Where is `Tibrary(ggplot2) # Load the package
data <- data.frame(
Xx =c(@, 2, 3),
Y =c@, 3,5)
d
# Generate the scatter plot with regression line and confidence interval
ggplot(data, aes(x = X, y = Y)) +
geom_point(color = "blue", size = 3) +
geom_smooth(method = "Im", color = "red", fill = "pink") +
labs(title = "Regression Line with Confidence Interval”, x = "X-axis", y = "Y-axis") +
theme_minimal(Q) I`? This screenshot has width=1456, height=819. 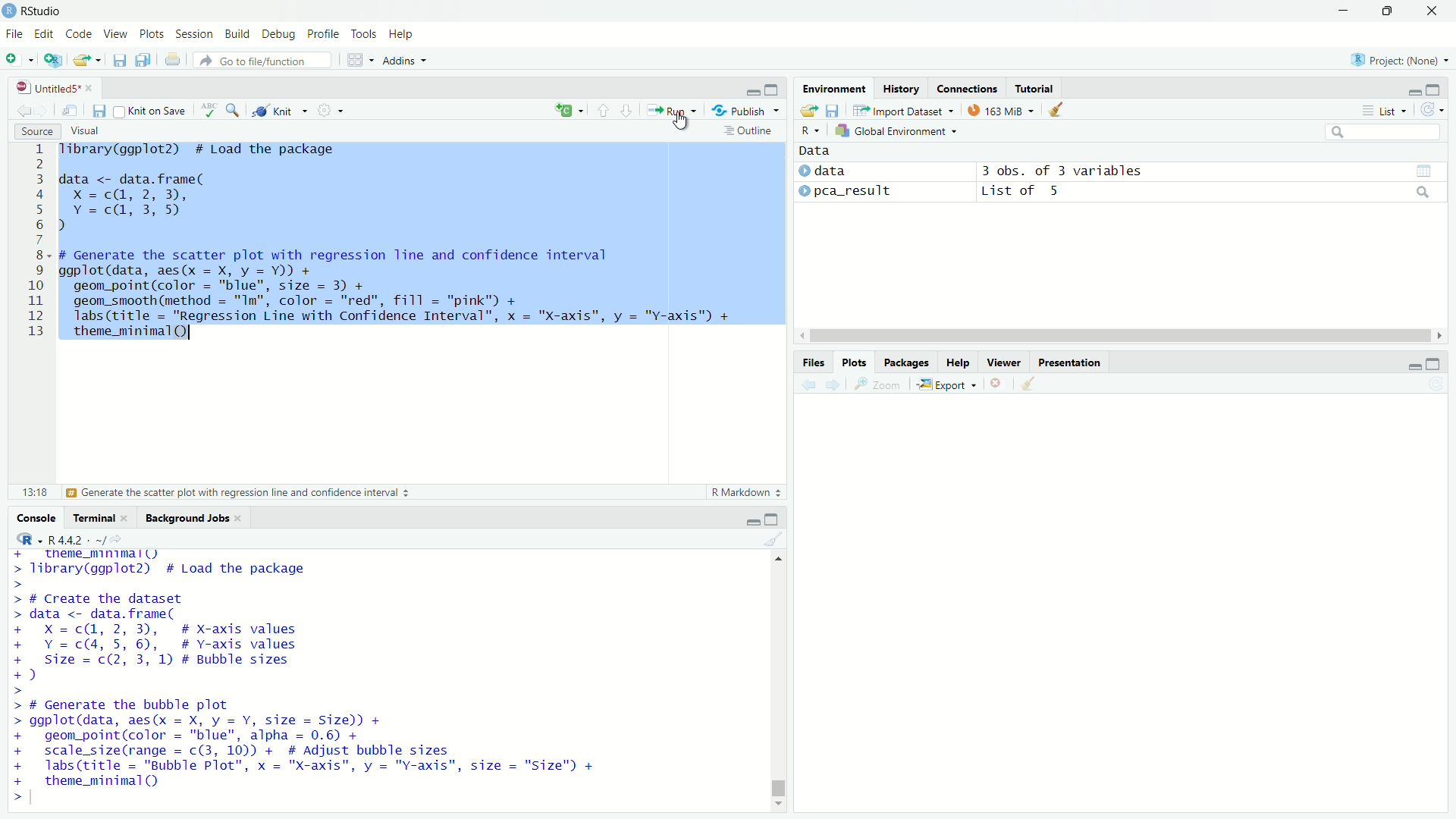 Tibrary(ggplot2) # Load the package
data <- data.frame(
Xx =c(@, 2, 3),
Y =c@, 3,5)
d
# Generate the scatter plot with regression line and confidence interval
ggplot(data, aes(x = X, y = Y)) +
geom_point(color = "blue", size = 3) +
geom_smooth(method = "Im", color = "red", fill = "pink") +
labs(title = "Regression Line with Confidence Interval”, x = "X-axis", y = "Y-axis") +
theme_minimal(Q) I is located at coordinates (400, 245).